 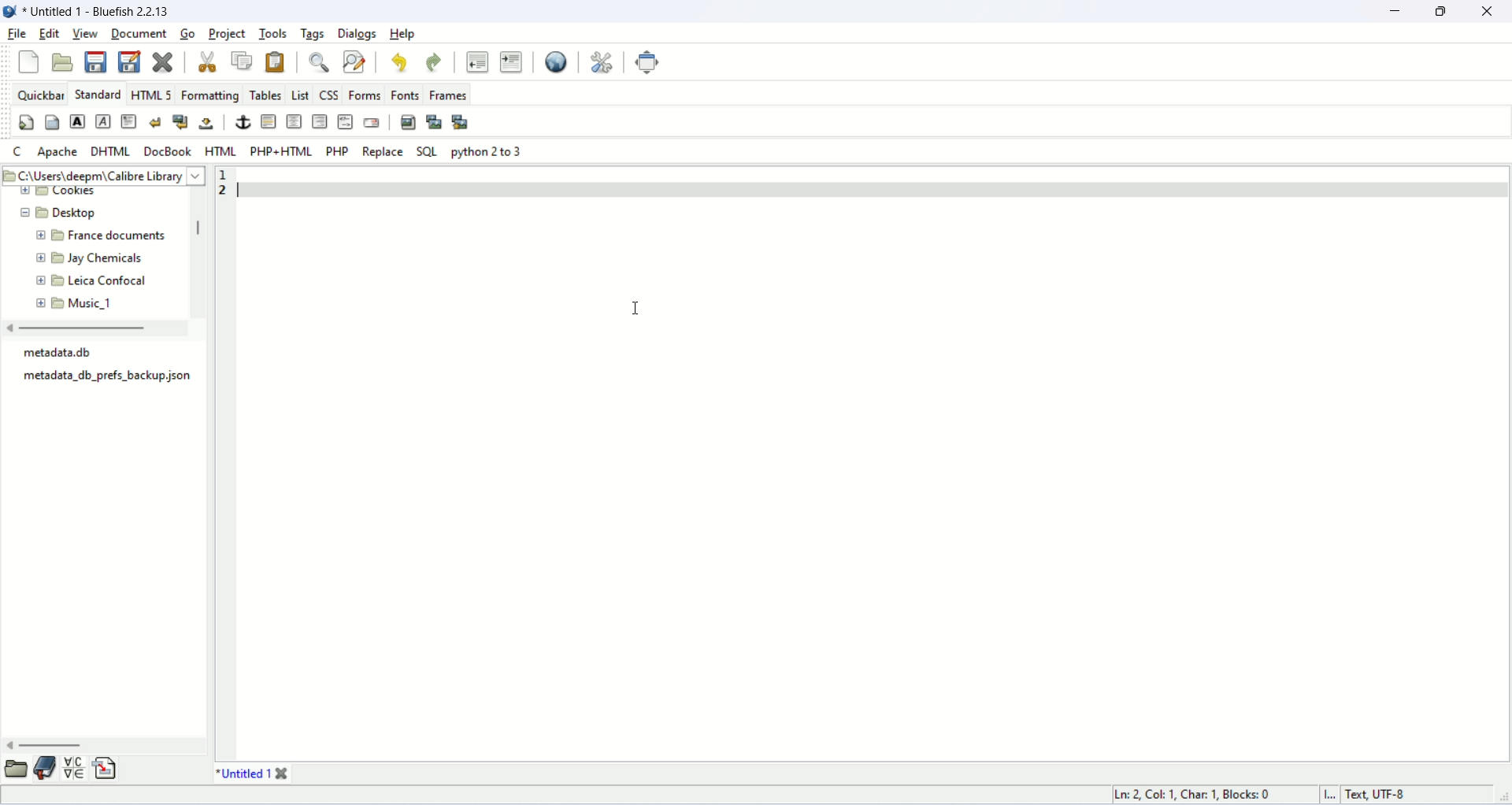 What do you see at coordinates (9, 9) in the screenshot?
I see `application icon` at bounding box center [9, 9].